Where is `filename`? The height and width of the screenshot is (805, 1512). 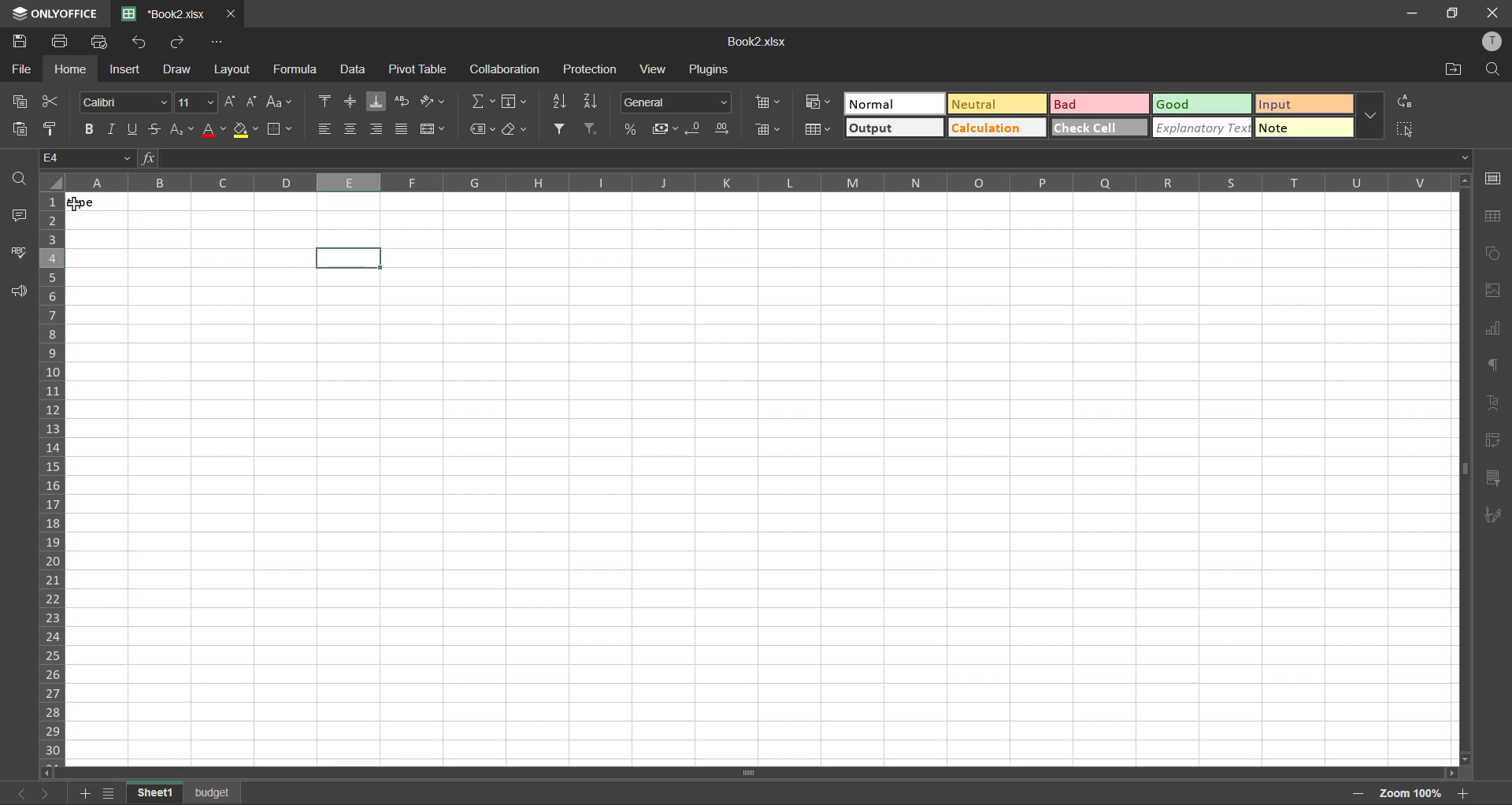 filename is located at coordinates (762, 43).